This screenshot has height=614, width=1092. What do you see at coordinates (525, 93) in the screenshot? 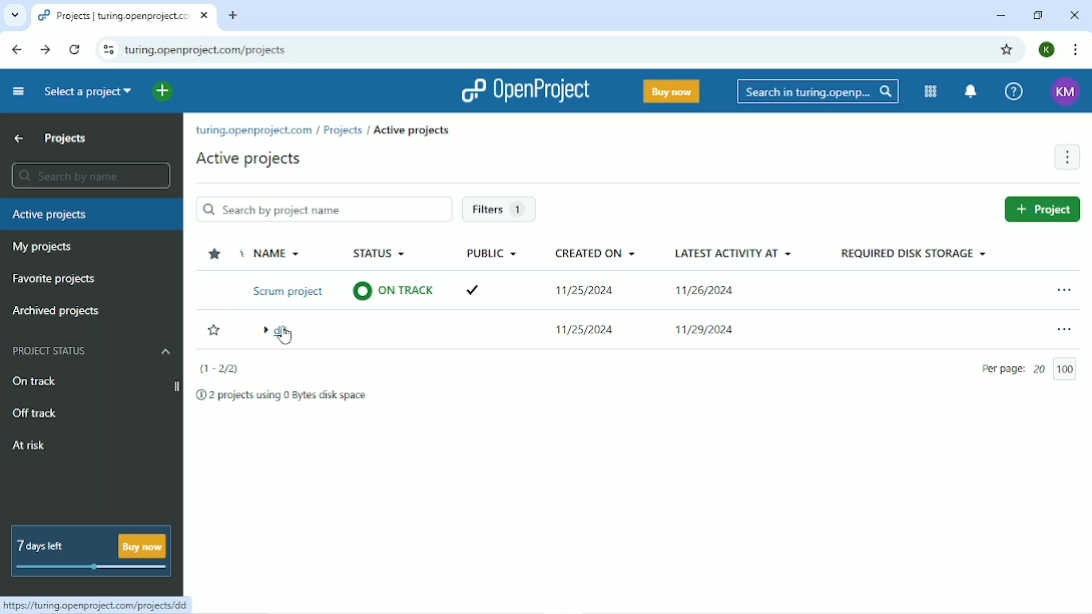
I see `OpenProject` at bounding box center [525, 93].